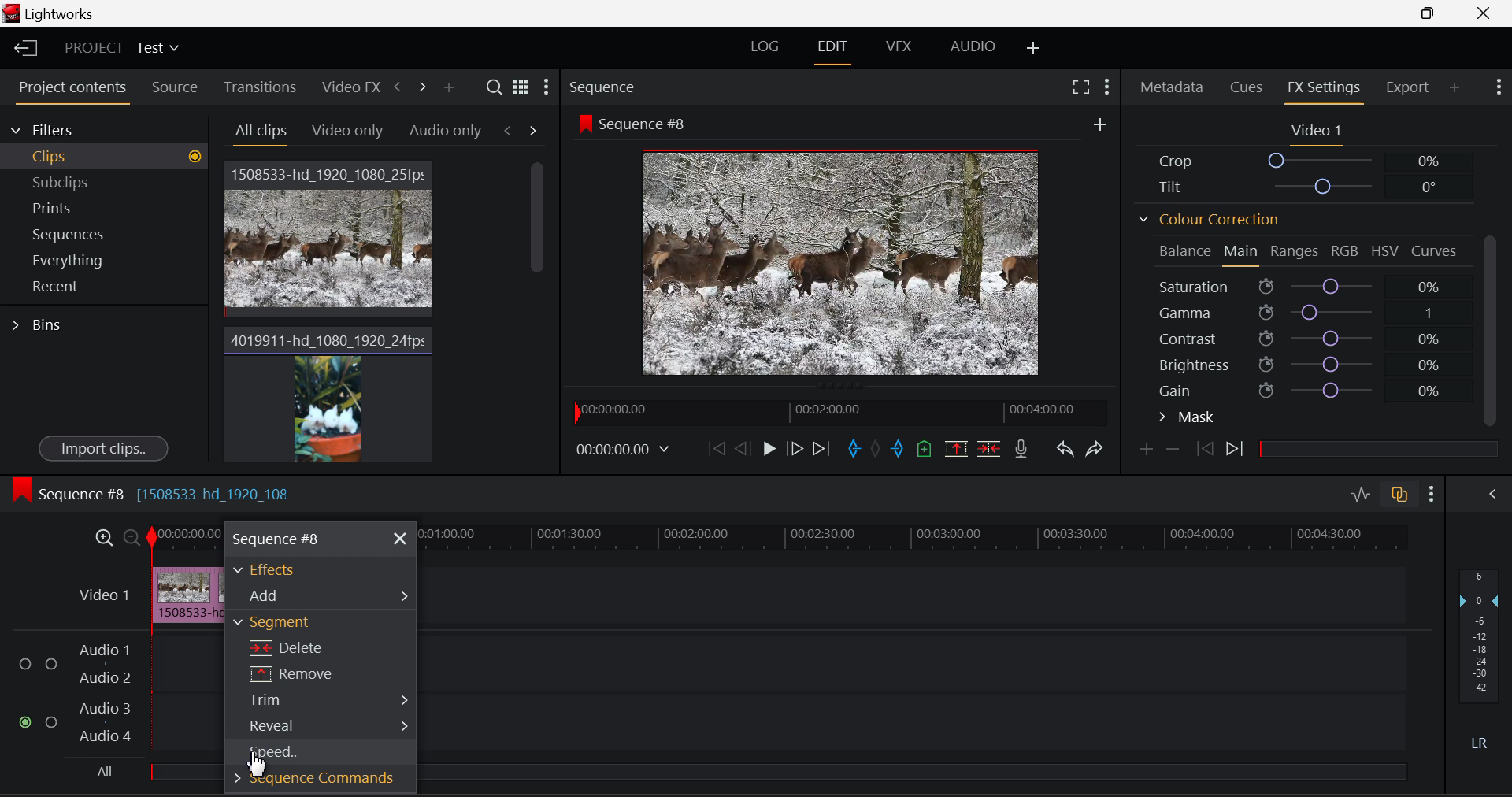 This screenshot has height=797, width=1512. I want to click on To End, so click(821, 450).